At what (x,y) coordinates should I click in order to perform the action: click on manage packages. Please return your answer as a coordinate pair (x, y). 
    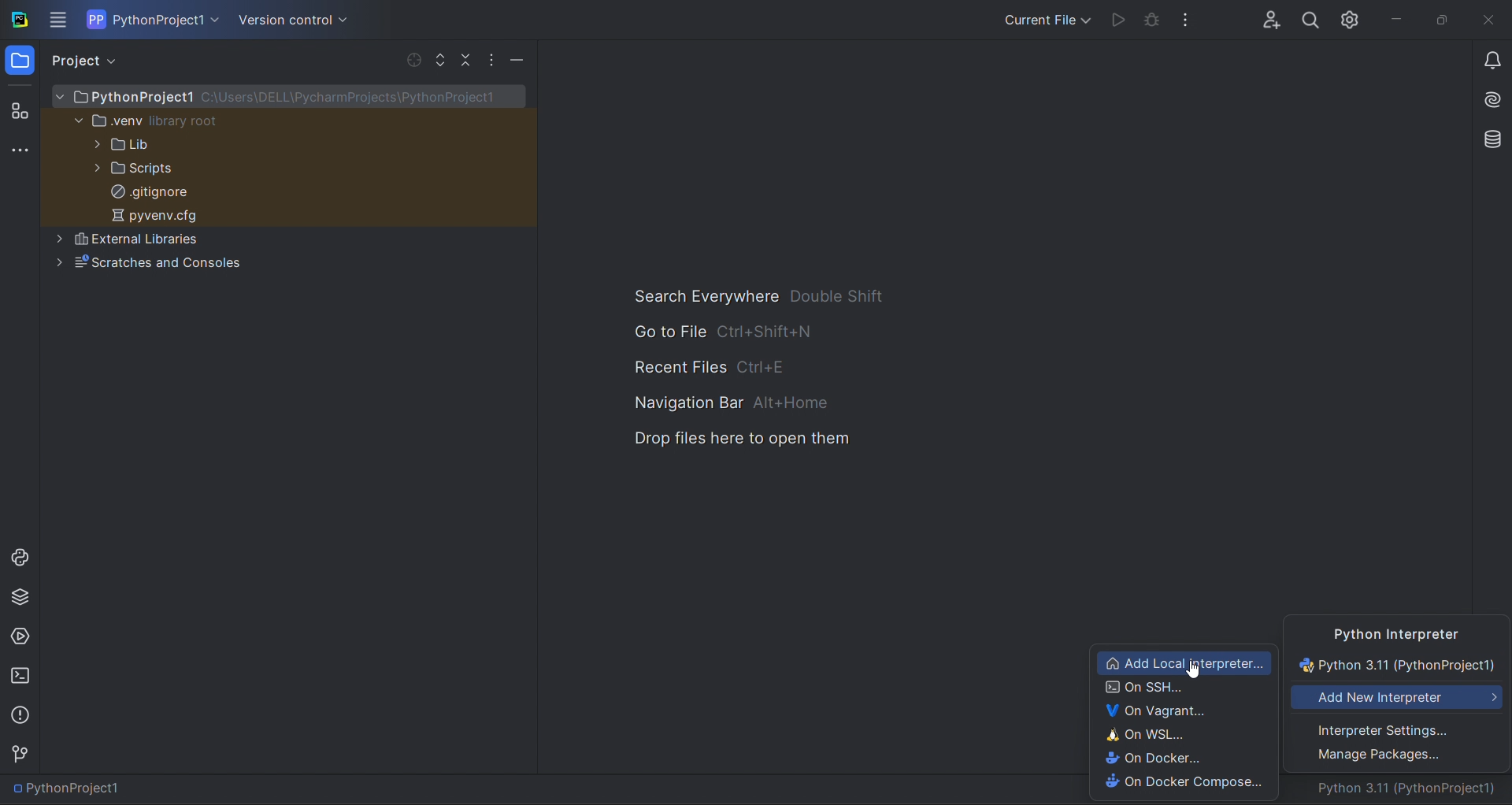
    Looking at the image, I should click on (1398, 759).